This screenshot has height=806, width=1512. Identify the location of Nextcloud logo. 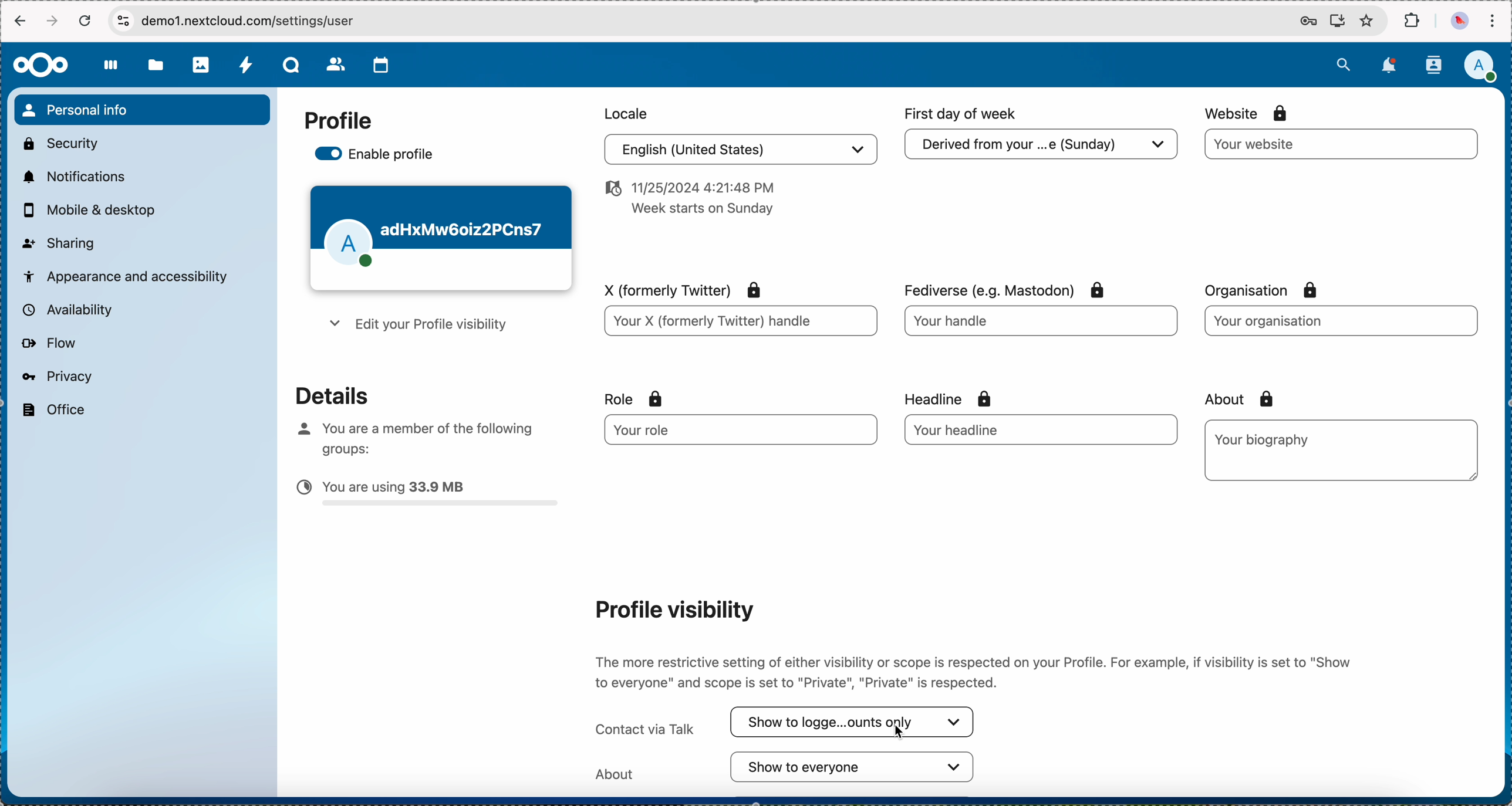
(39, 65).